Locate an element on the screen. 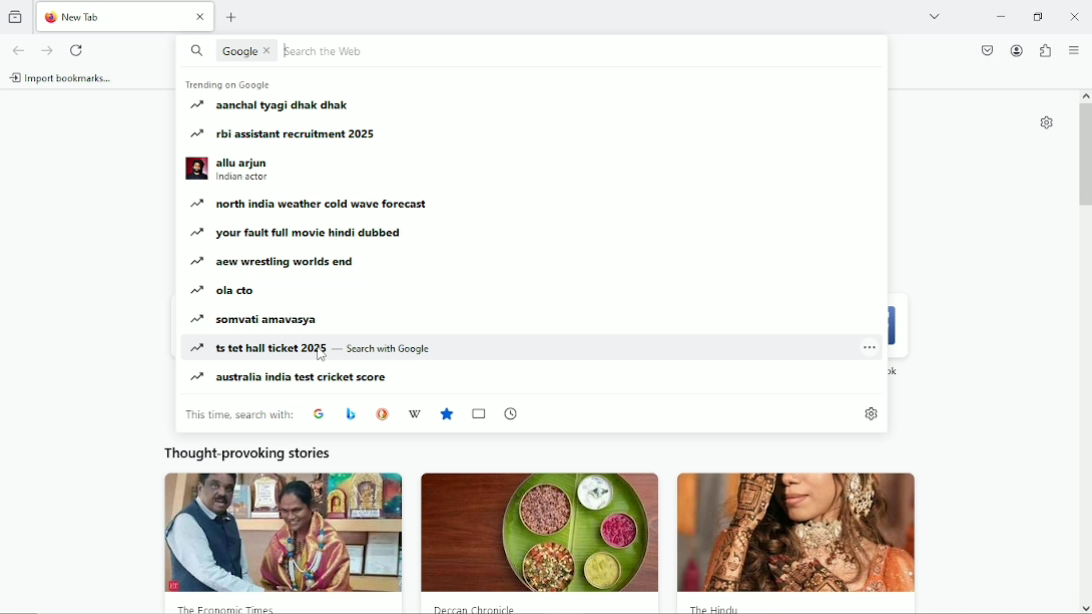  go back is located at coordinates (20, 49).